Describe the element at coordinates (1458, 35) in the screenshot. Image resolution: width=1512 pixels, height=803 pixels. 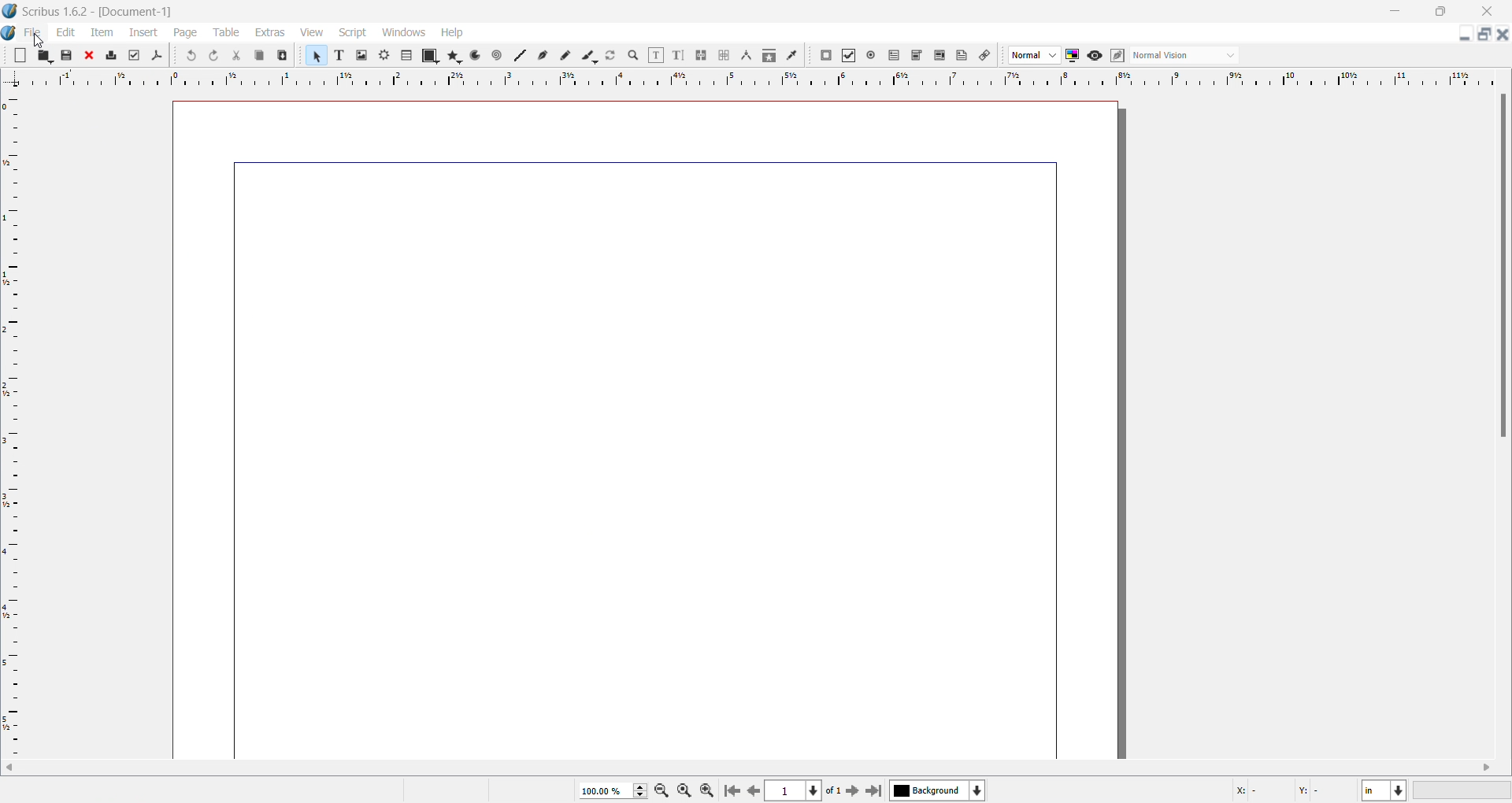
I see `minimize` at that location.